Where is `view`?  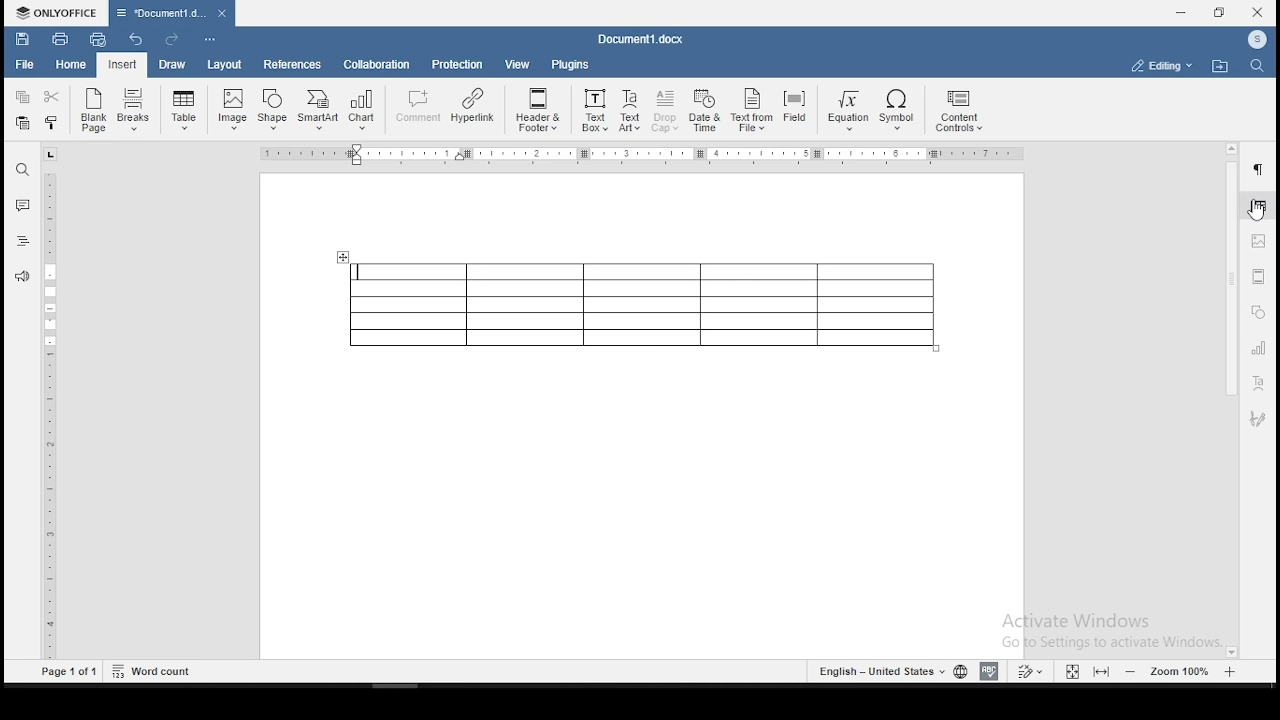 view is located at coordinates (519, 64).